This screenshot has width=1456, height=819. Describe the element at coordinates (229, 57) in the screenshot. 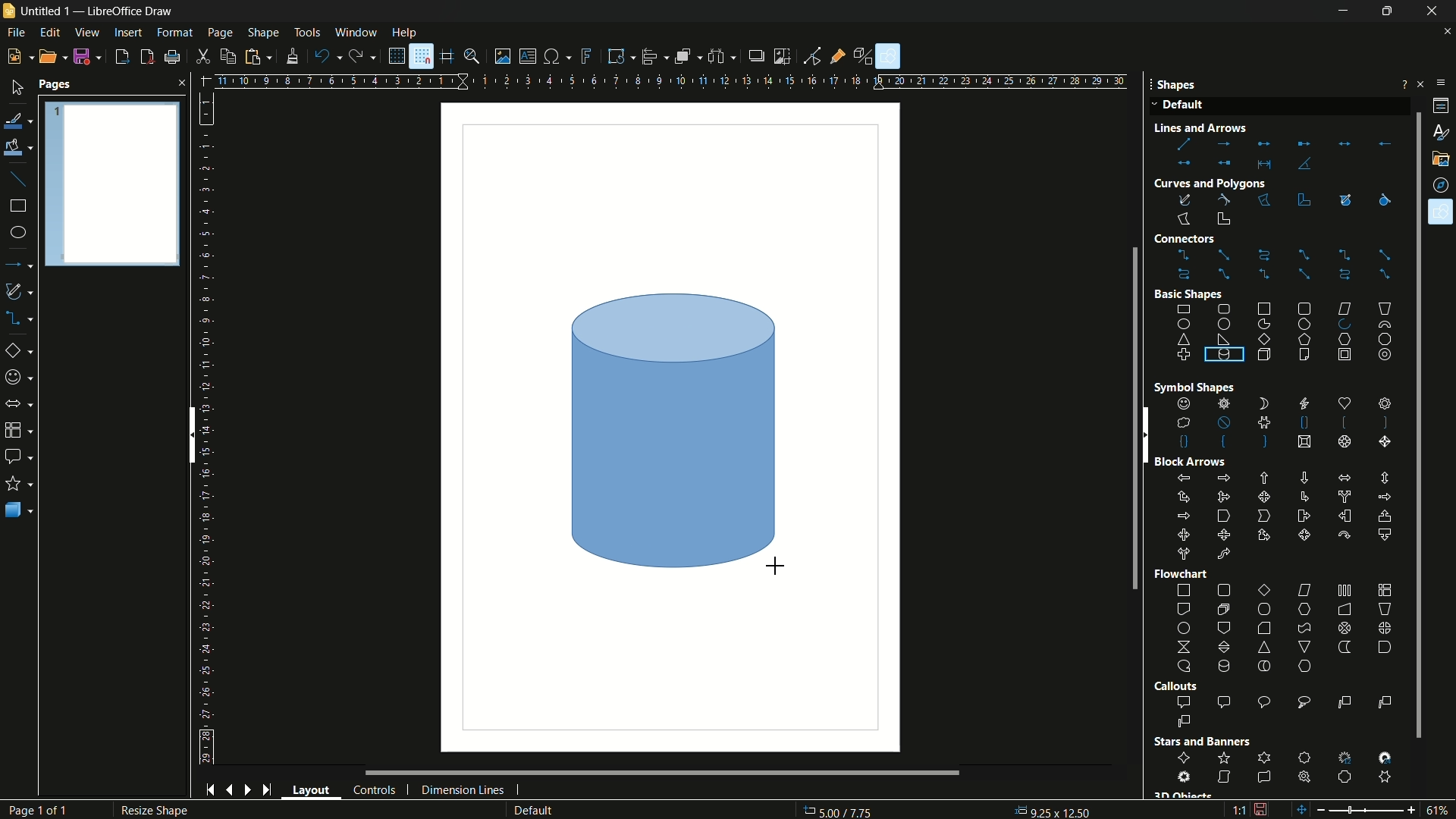

I see `copy` at that location.